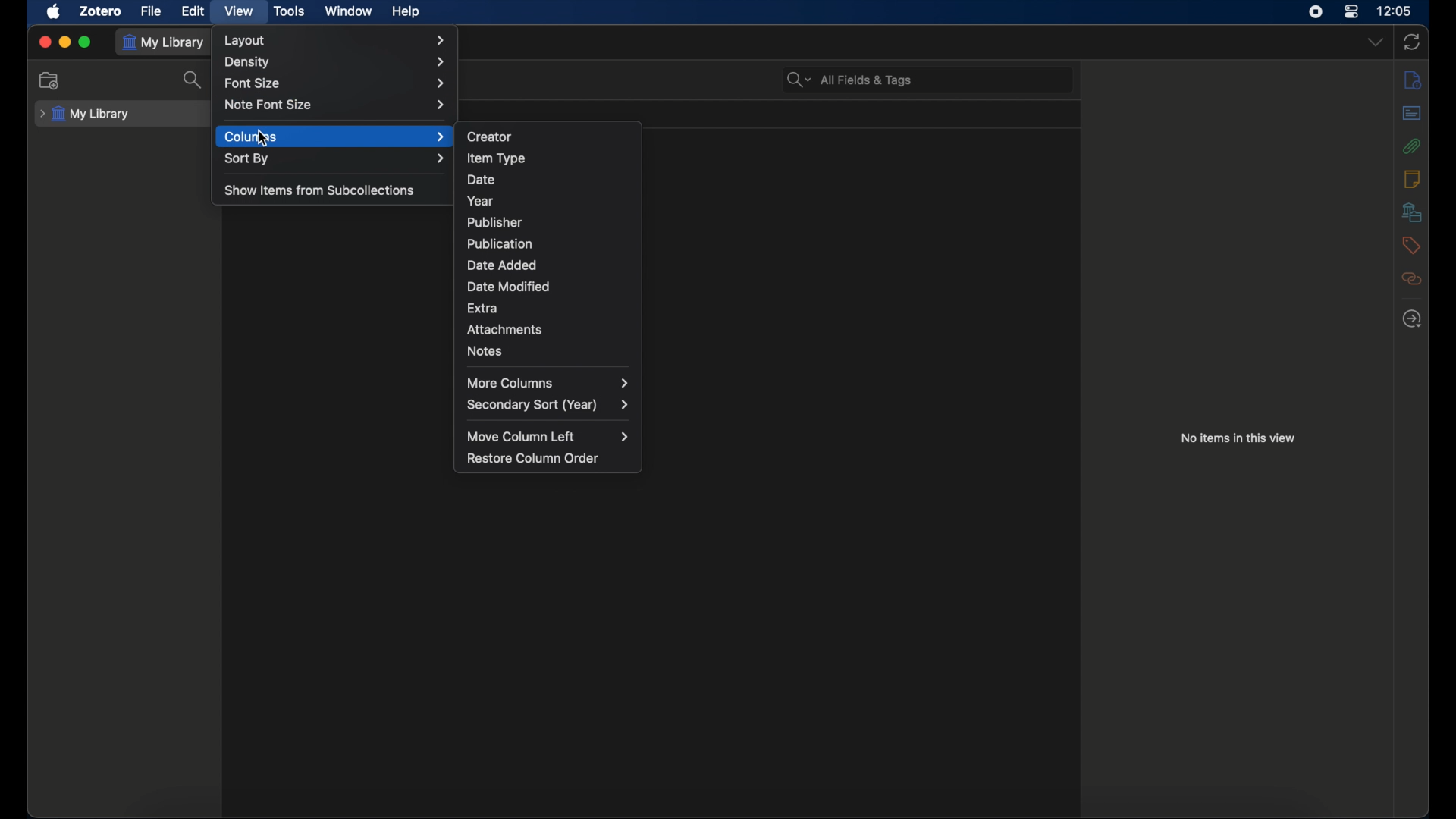 This screenshot has height=819, width=1456. I want to click on note font size, so click(335, 104).